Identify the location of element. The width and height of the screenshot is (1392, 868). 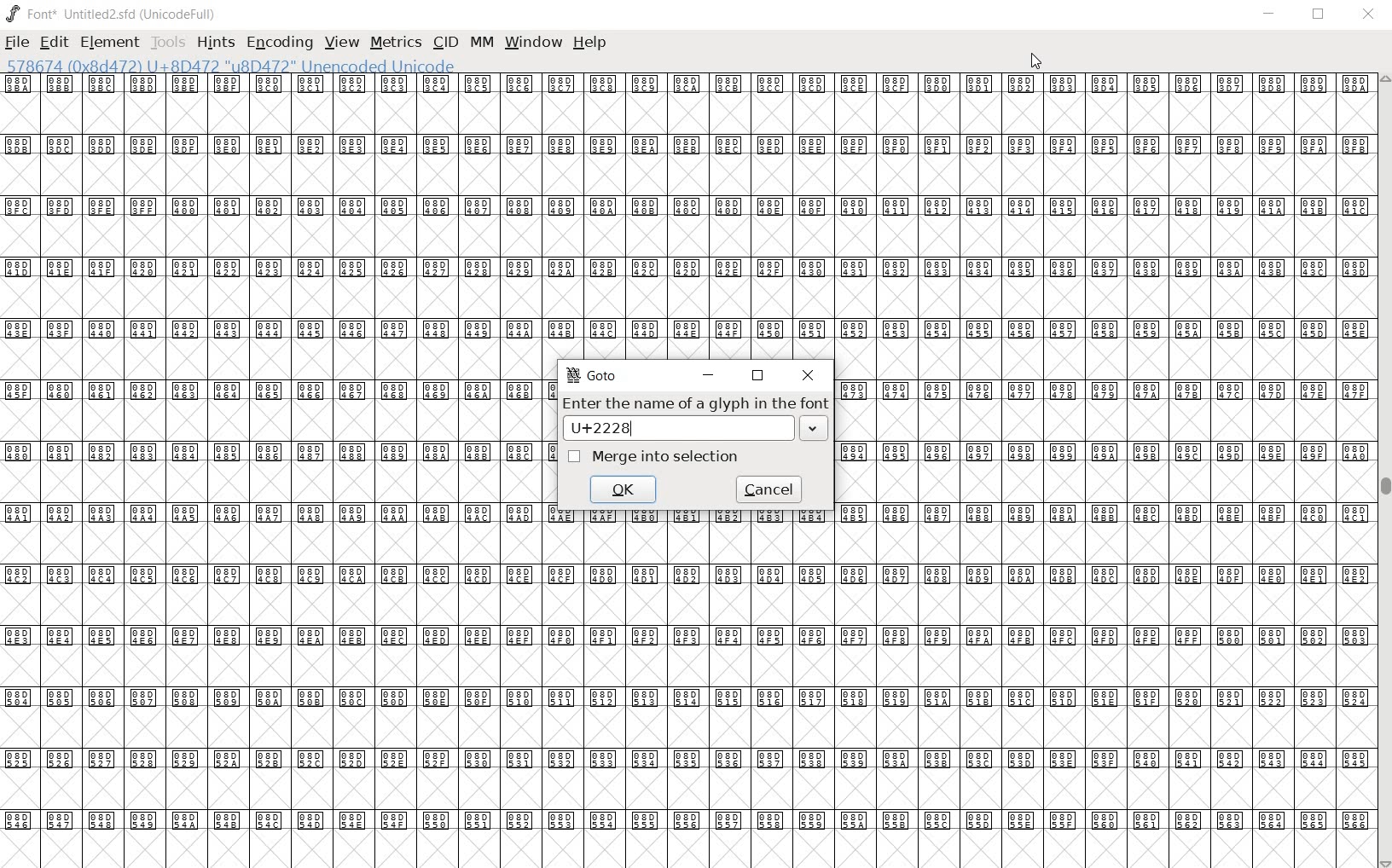
(109, 42).